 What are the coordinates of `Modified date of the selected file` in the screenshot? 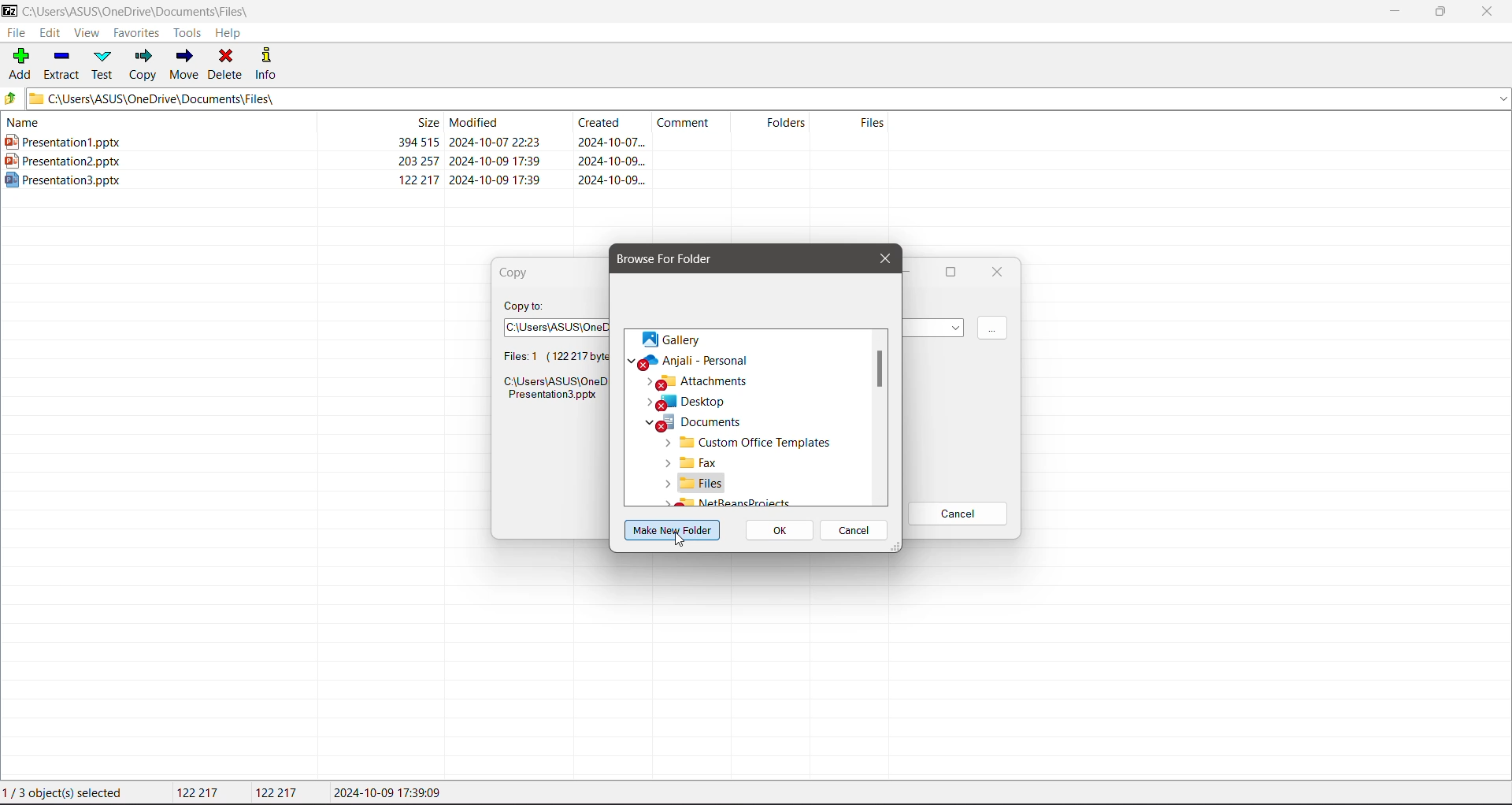 It's located at (392, 793).